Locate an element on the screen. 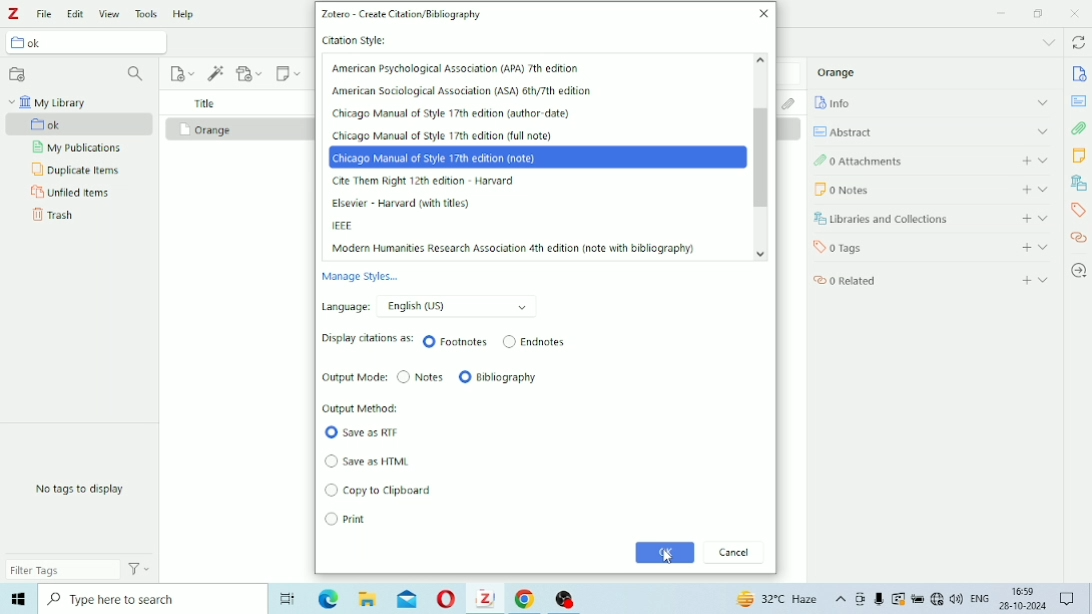 The height and width of the screenshot is (614, 1092). Task View is located at coordinates (287, 600).